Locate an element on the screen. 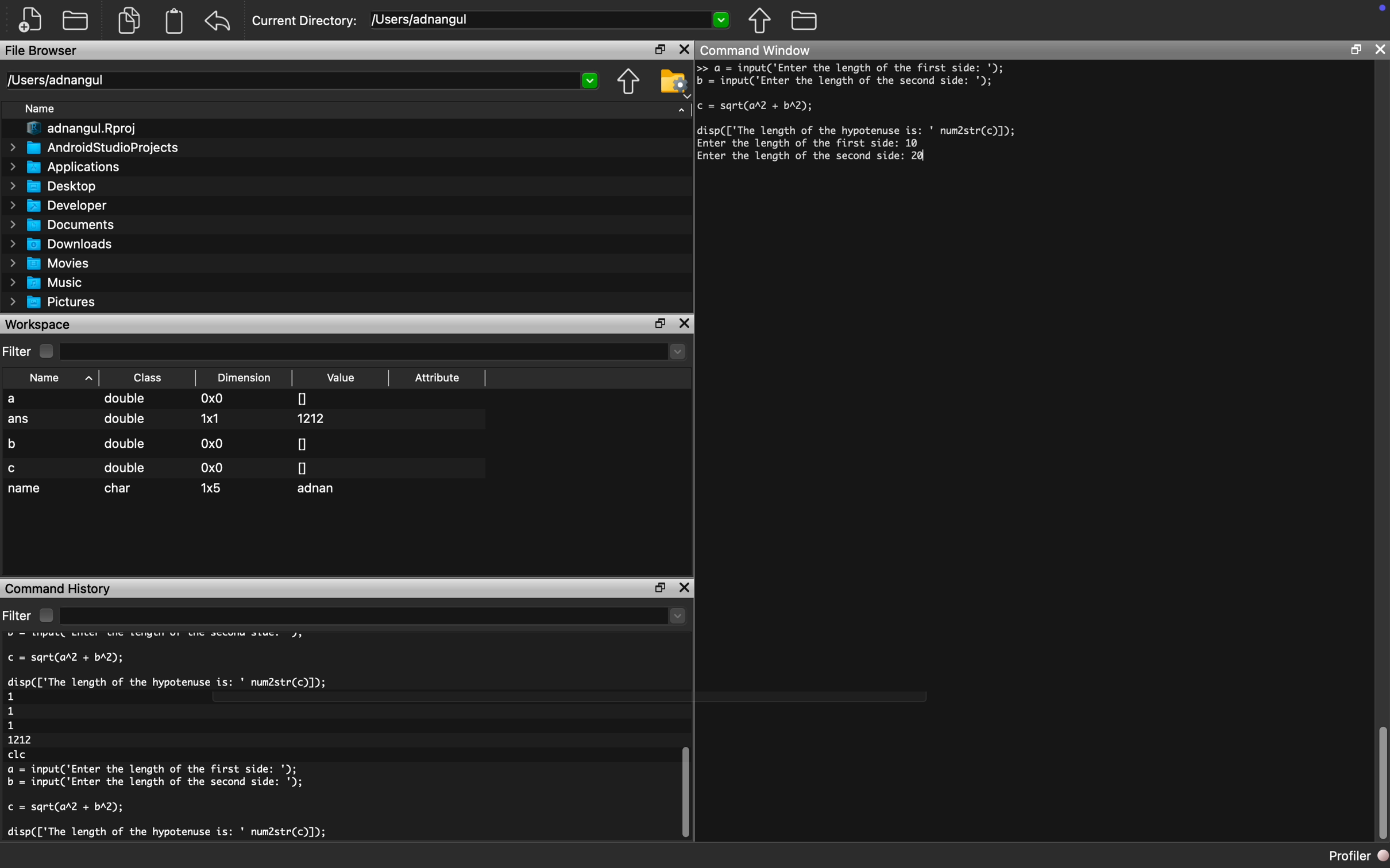 Image resolution: width=1390 pixels, height=868 pixels. c is located at coordinates (14, 468).